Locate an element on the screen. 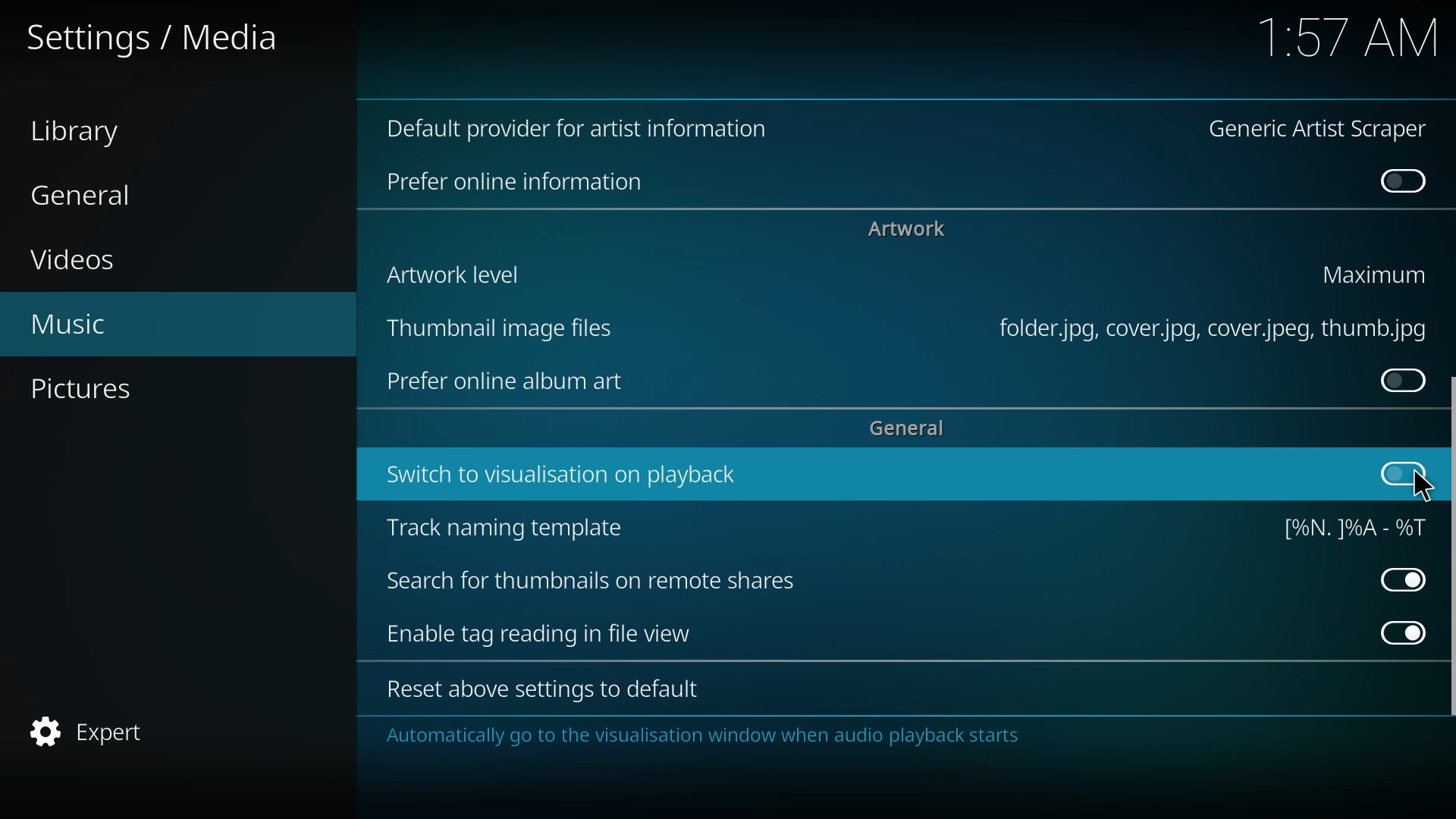 The height and width of the screenshot is (819, 1456). time is located at coordinates (1345, 36).